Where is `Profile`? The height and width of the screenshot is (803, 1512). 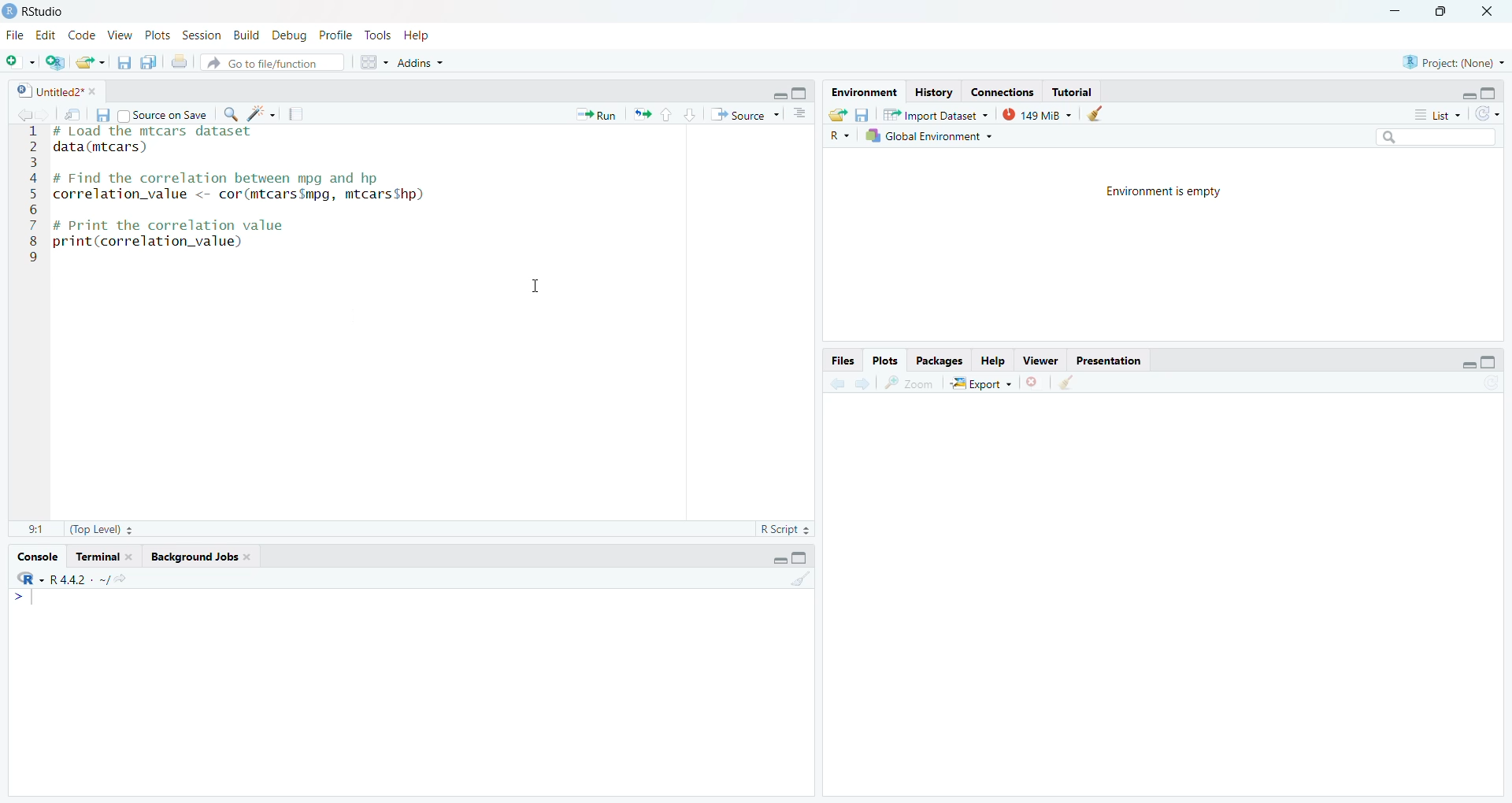 Profile is located at coordinates (334, 33).